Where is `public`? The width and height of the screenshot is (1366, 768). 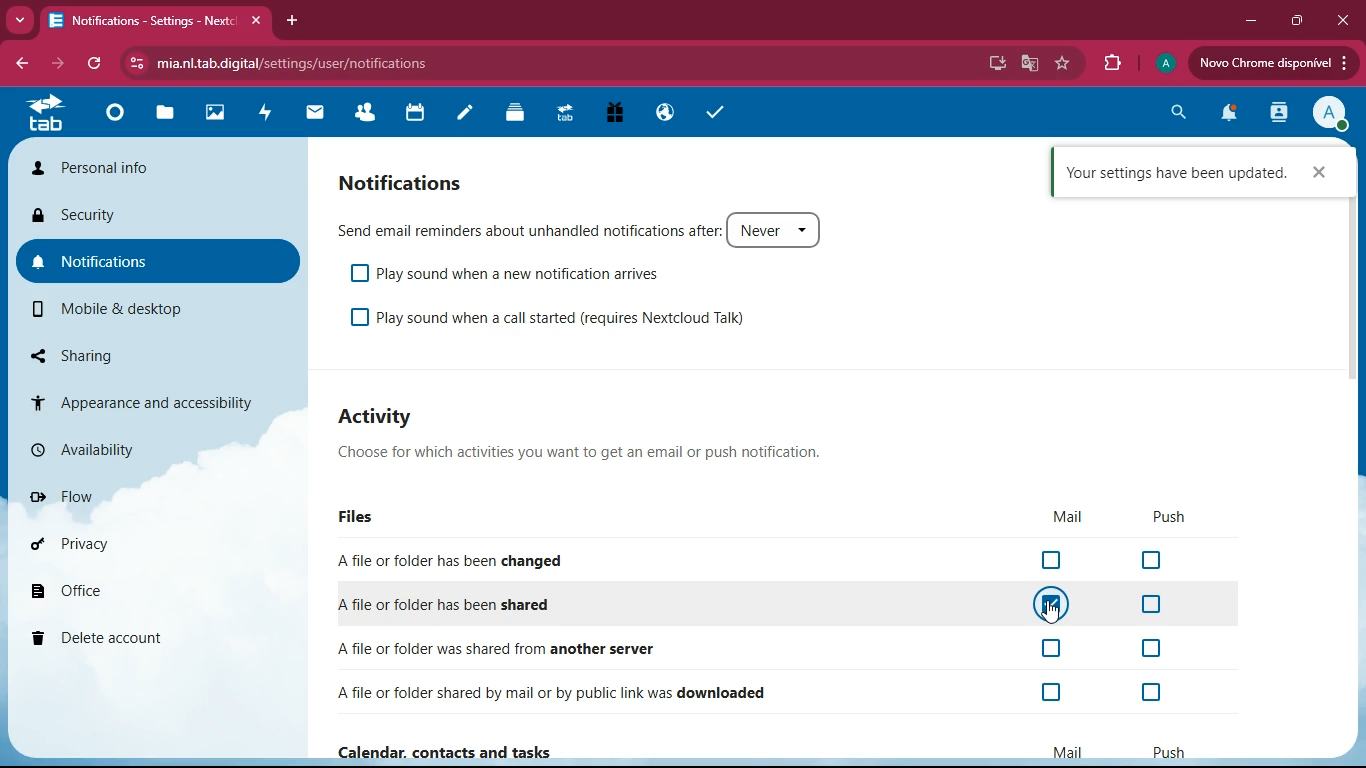
public is located at coordinates (660, 114).